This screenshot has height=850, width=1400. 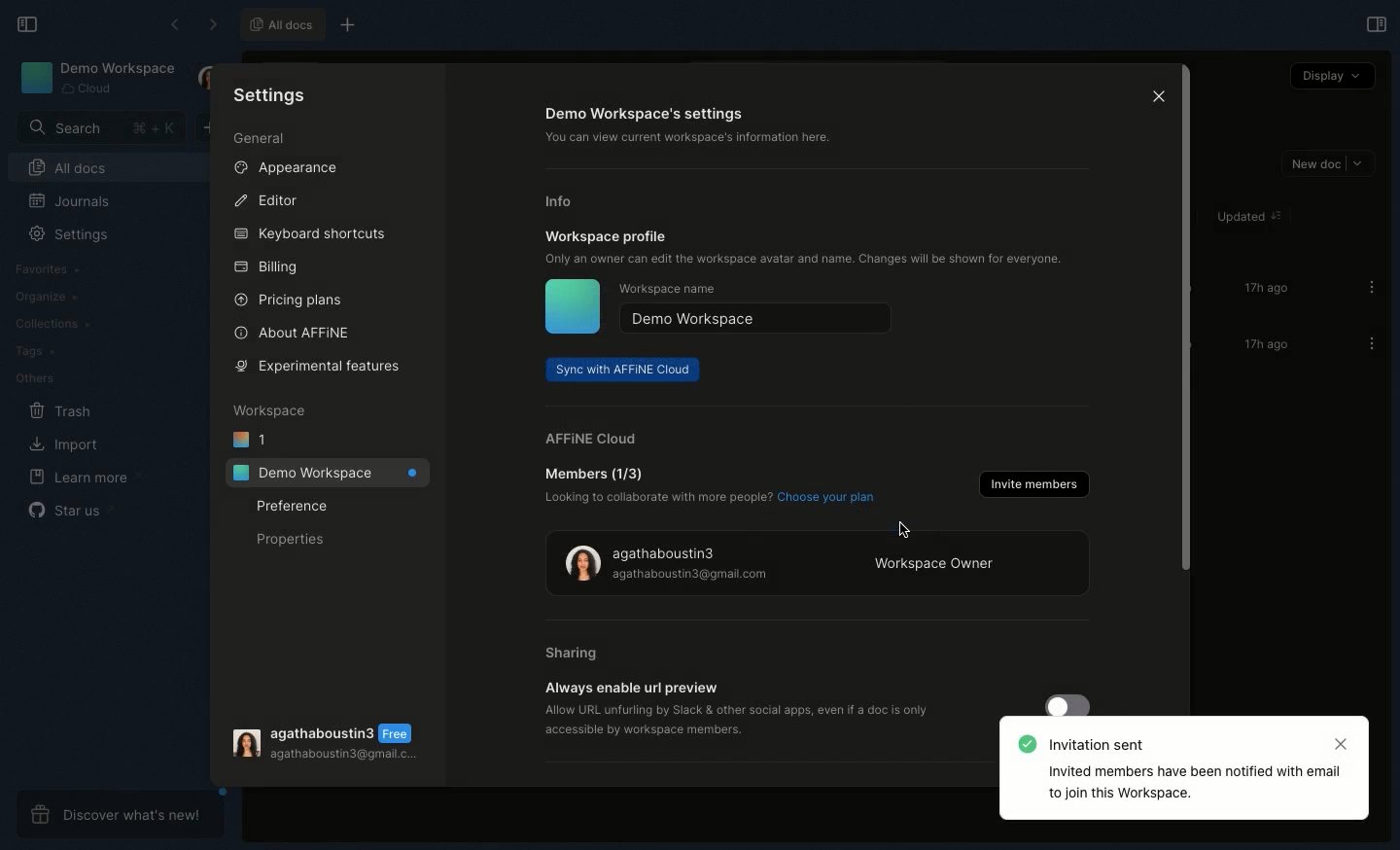 I want to click on Settings, so click(x=71, y=233).